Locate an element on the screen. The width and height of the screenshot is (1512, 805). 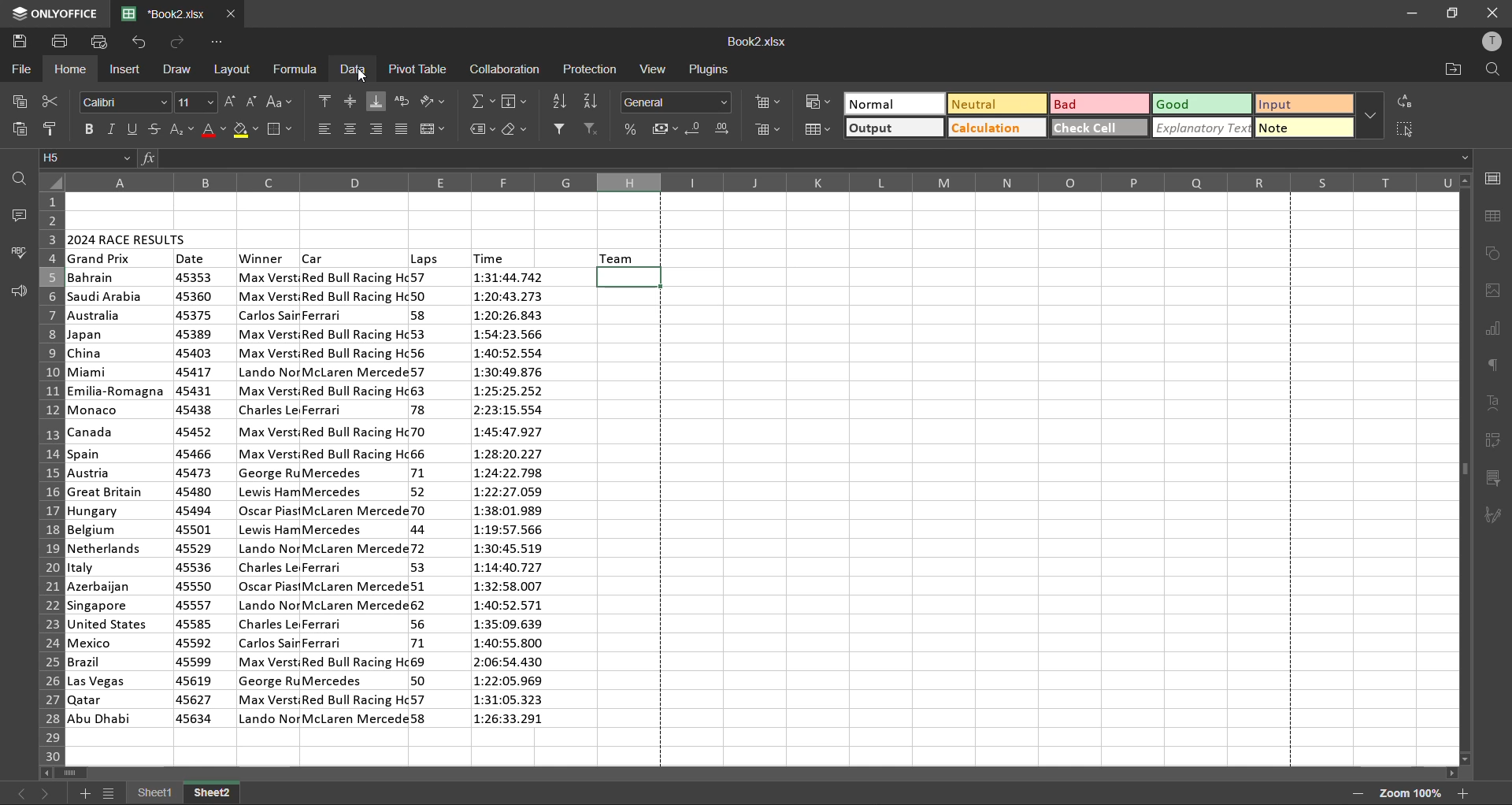
row numbers is located at coordinates (48, 476).